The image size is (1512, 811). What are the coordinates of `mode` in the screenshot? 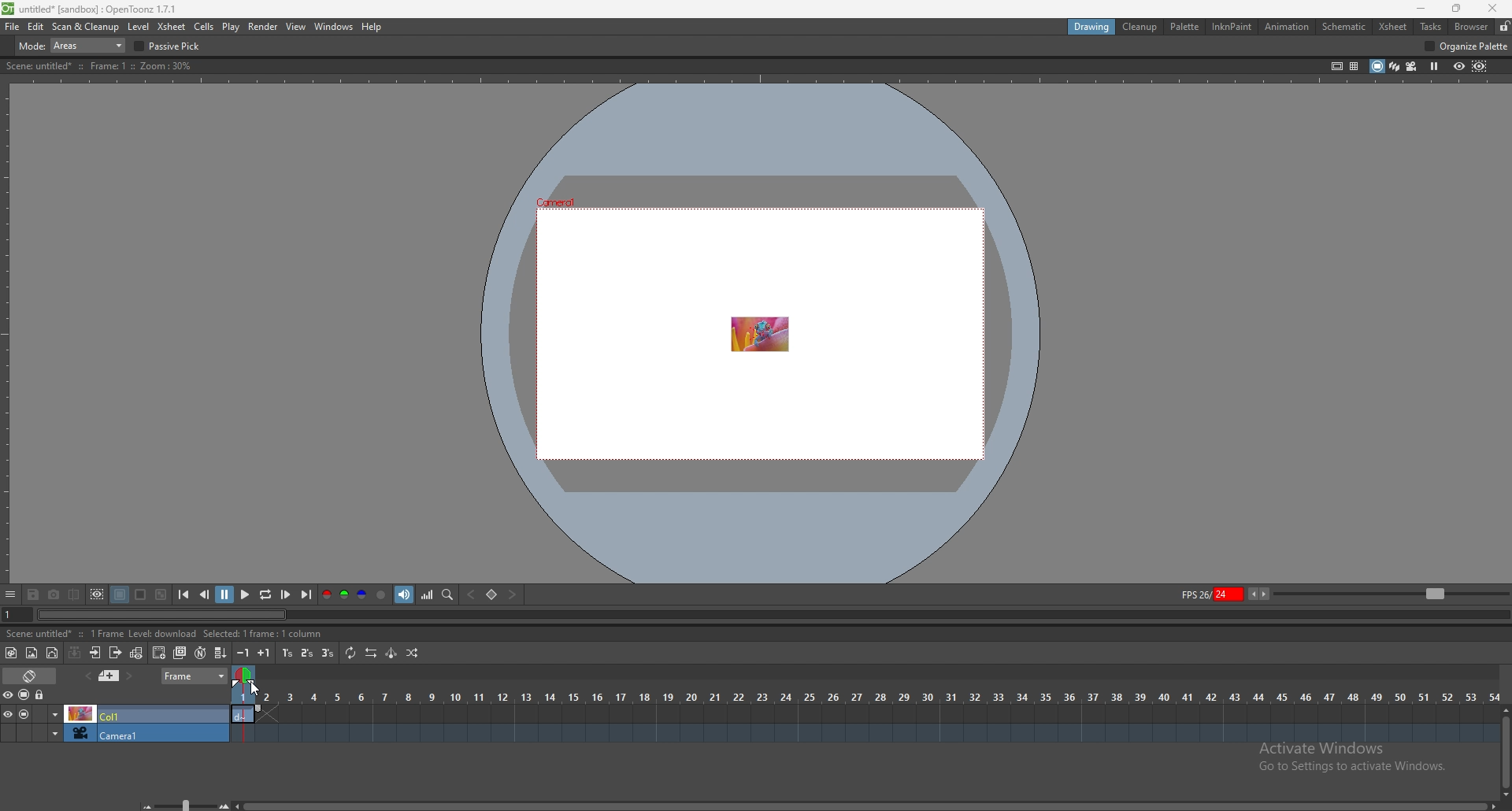 It's located at (72, 45).